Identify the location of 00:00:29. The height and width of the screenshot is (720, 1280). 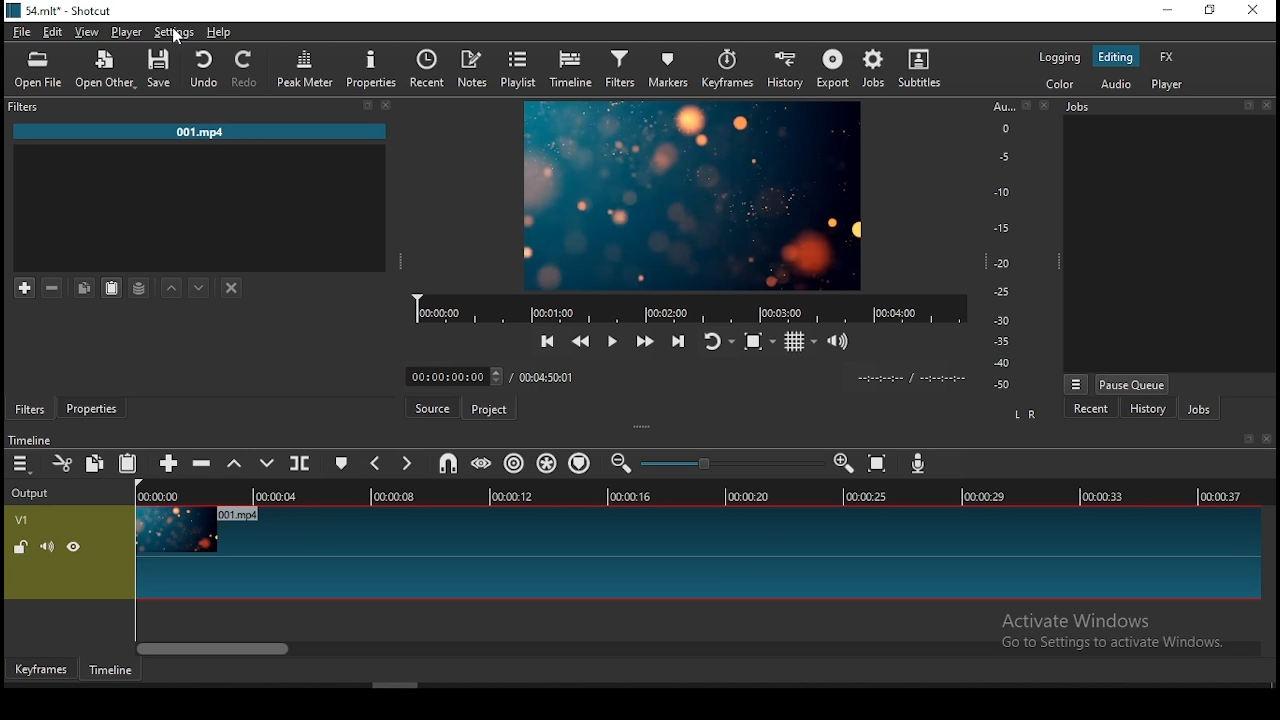
(987, 496).